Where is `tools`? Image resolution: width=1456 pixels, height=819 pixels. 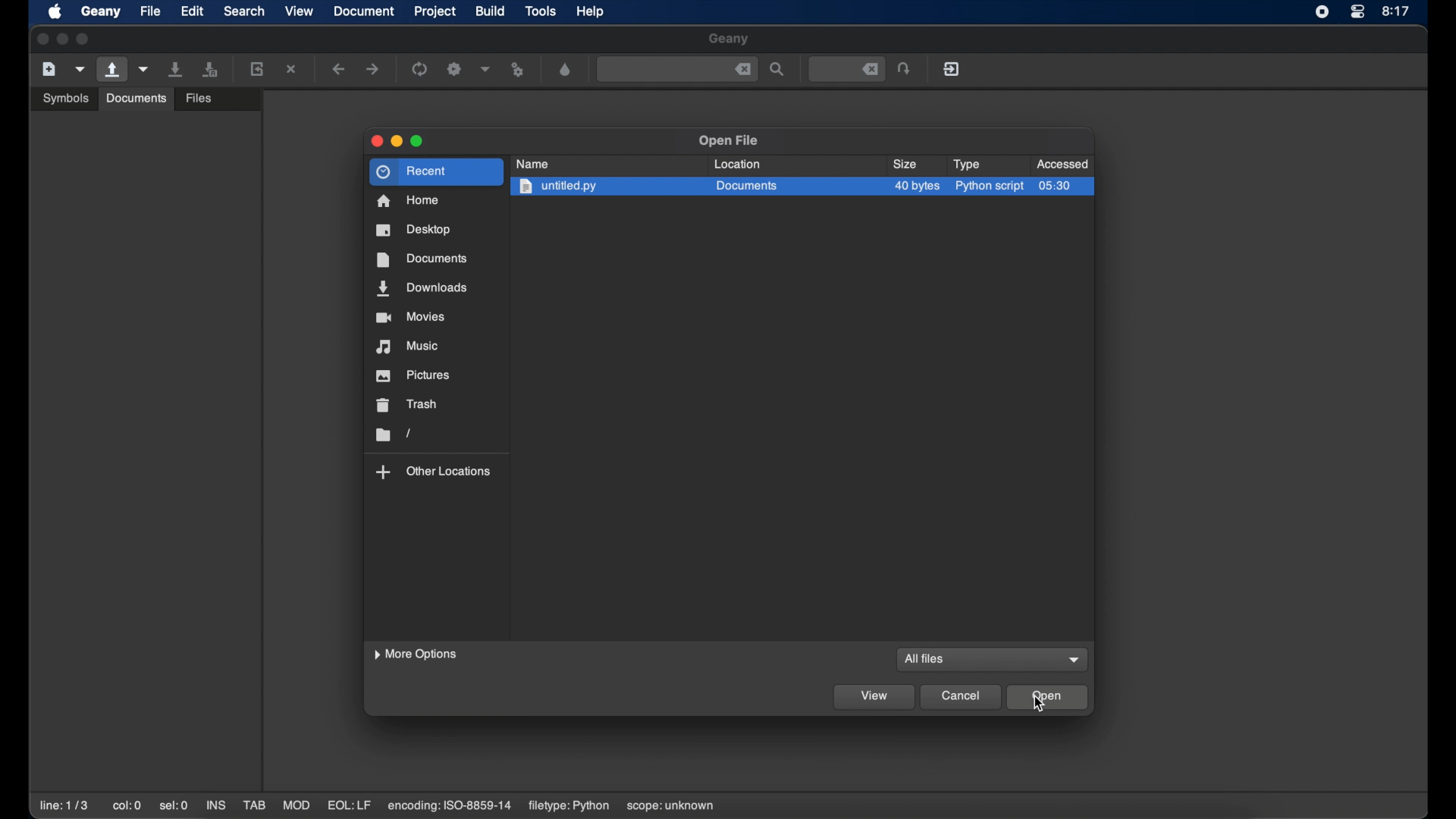 tools is located at coordinates (541, 10).